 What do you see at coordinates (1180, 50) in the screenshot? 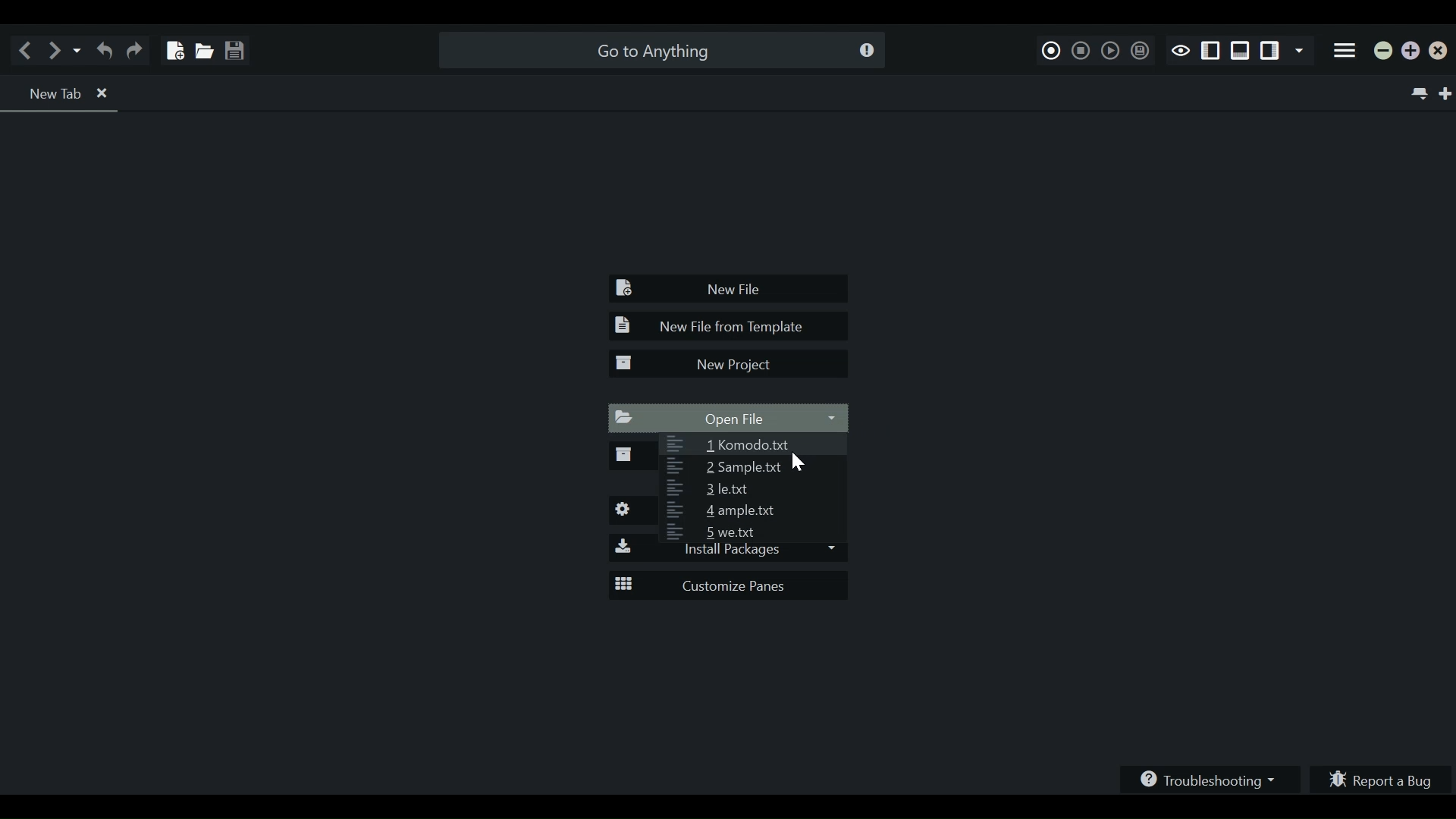
I see `Toggle Focus mode` at bounding box center [1180, 50].